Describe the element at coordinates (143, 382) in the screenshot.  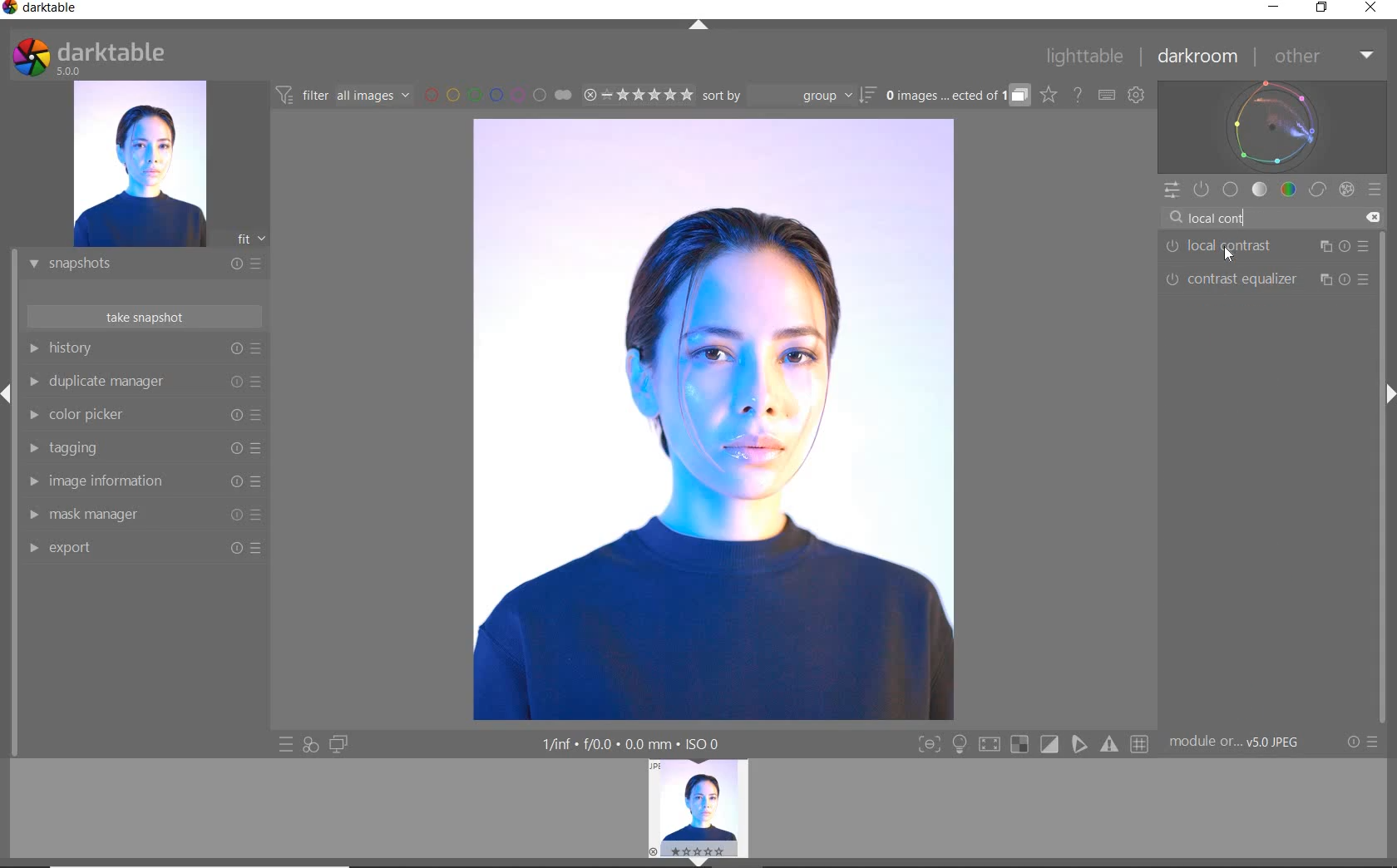
I see `DUPLICATE MANAGER` at that location.